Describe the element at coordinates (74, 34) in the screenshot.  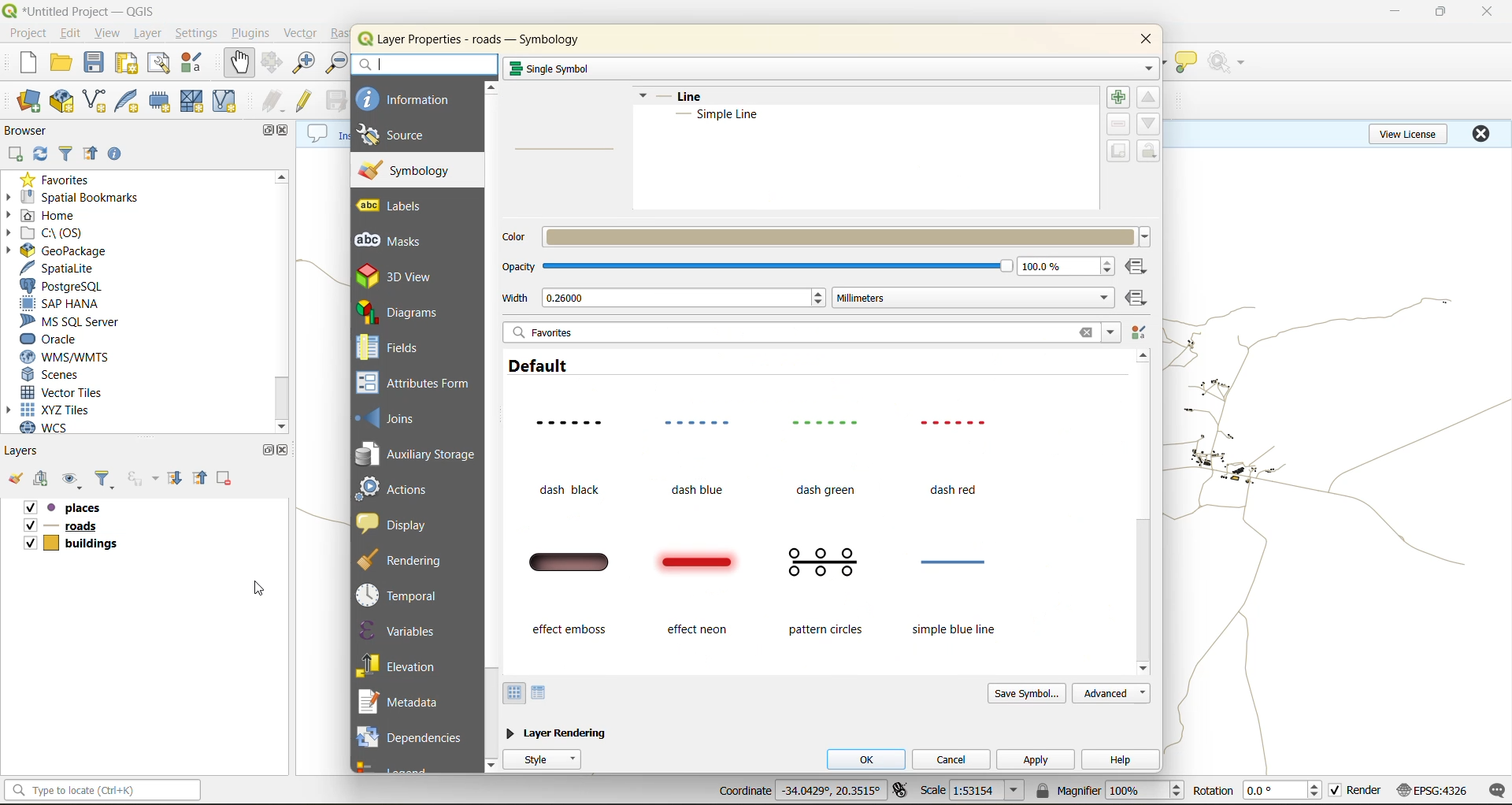
I see `edit` at that location.